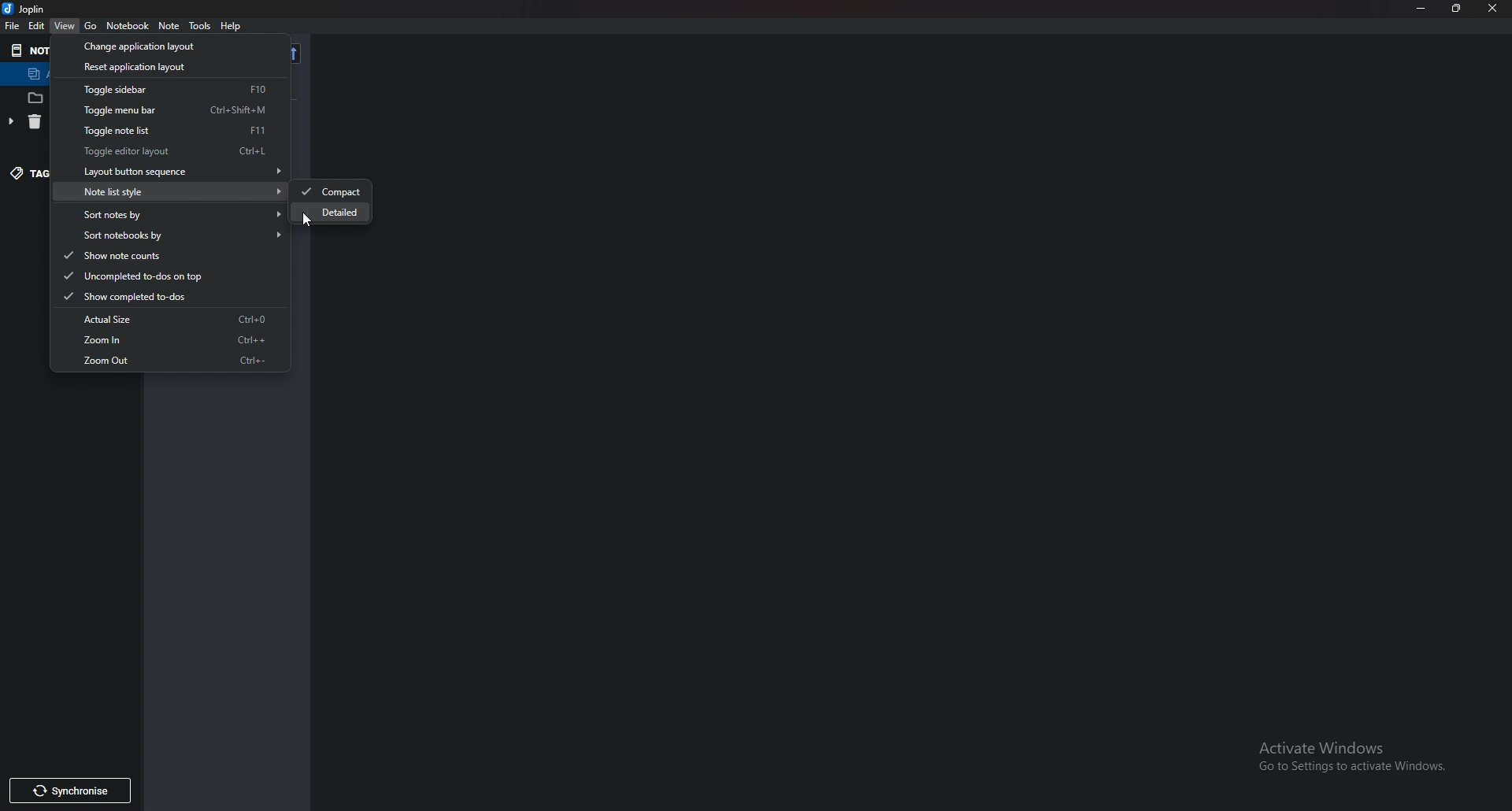  What do you see at coordinates (69, 791) in the screenshot?
I see `Synchronize` at bounding box center [69, 791].